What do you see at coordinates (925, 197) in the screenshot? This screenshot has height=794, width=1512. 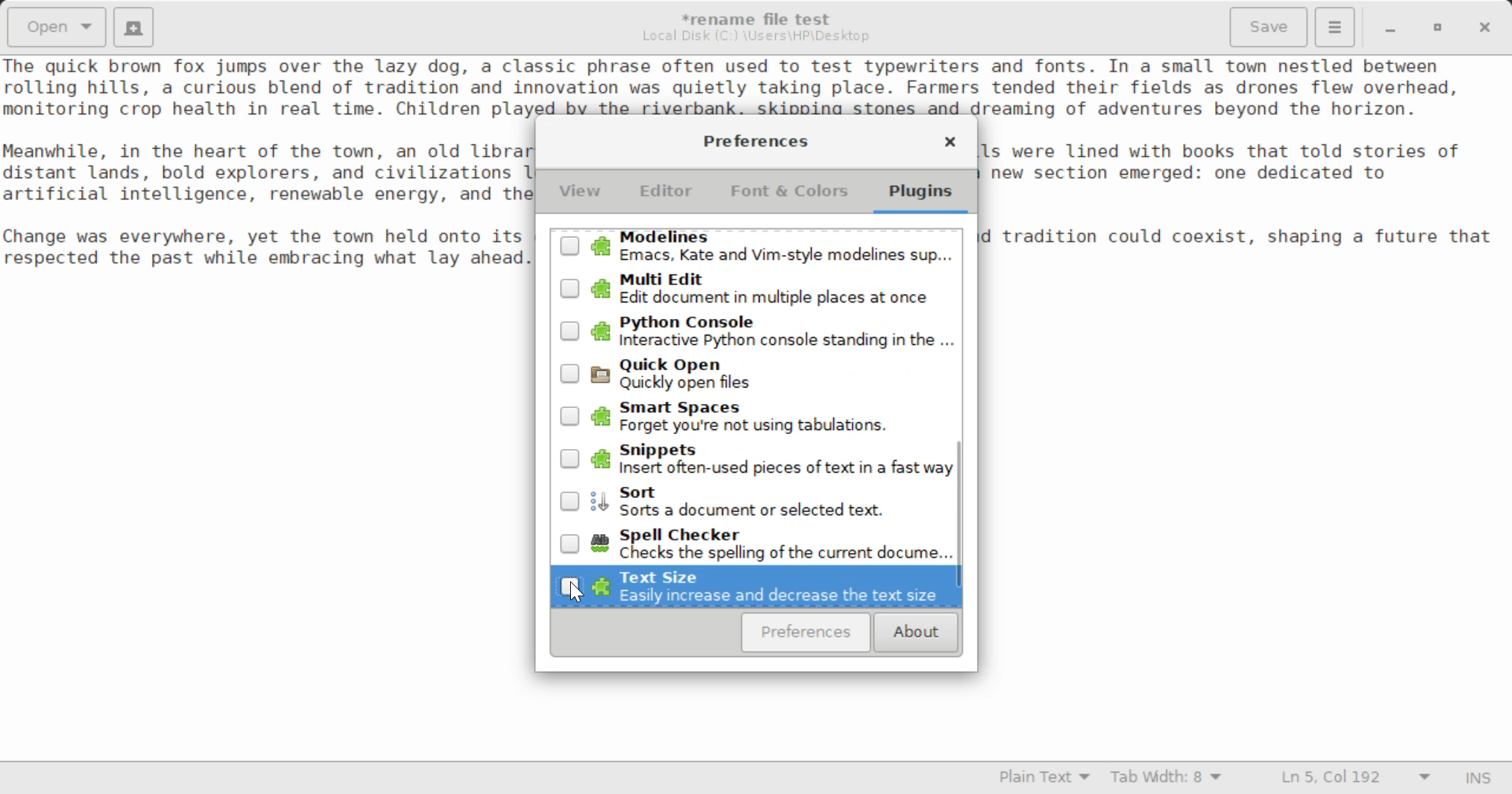 I see `Plugins Tab Selected` at bounding box center [925, 197].